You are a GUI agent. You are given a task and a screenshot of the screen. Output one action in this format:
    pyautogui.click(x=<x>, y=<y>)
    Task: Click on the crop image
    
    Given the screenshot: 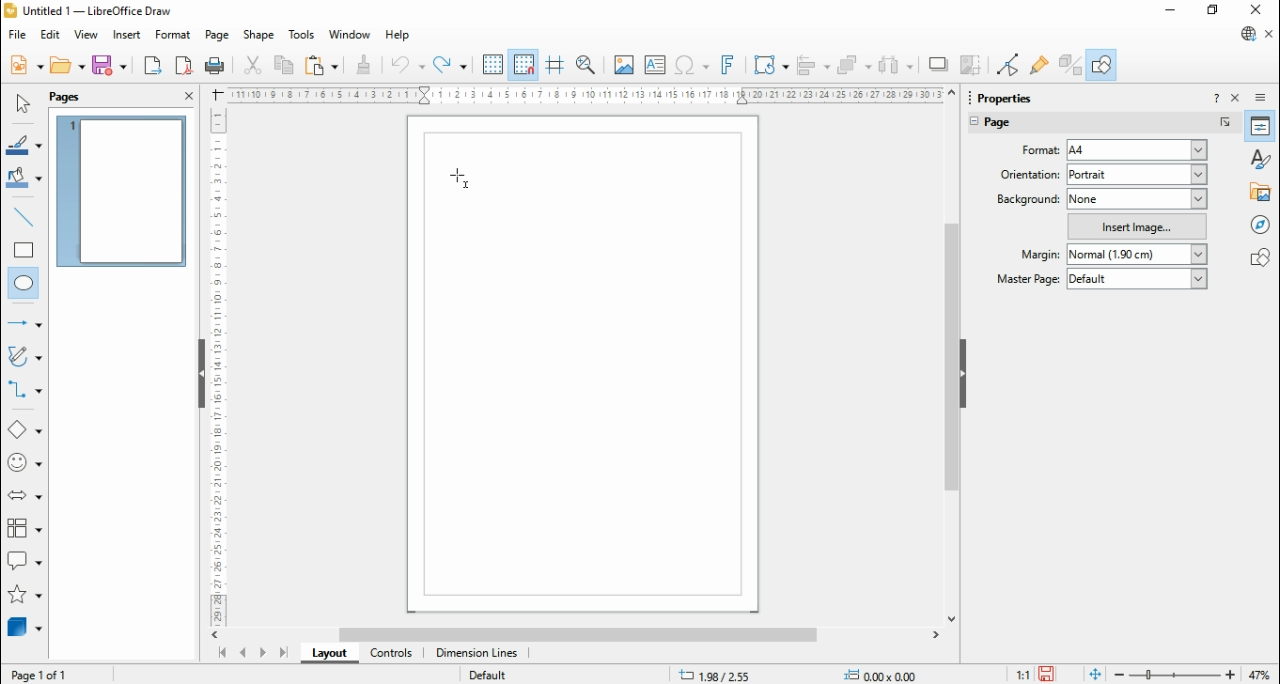 What is the action you would take?
    pyautogui.click(x=973, y=65)
    